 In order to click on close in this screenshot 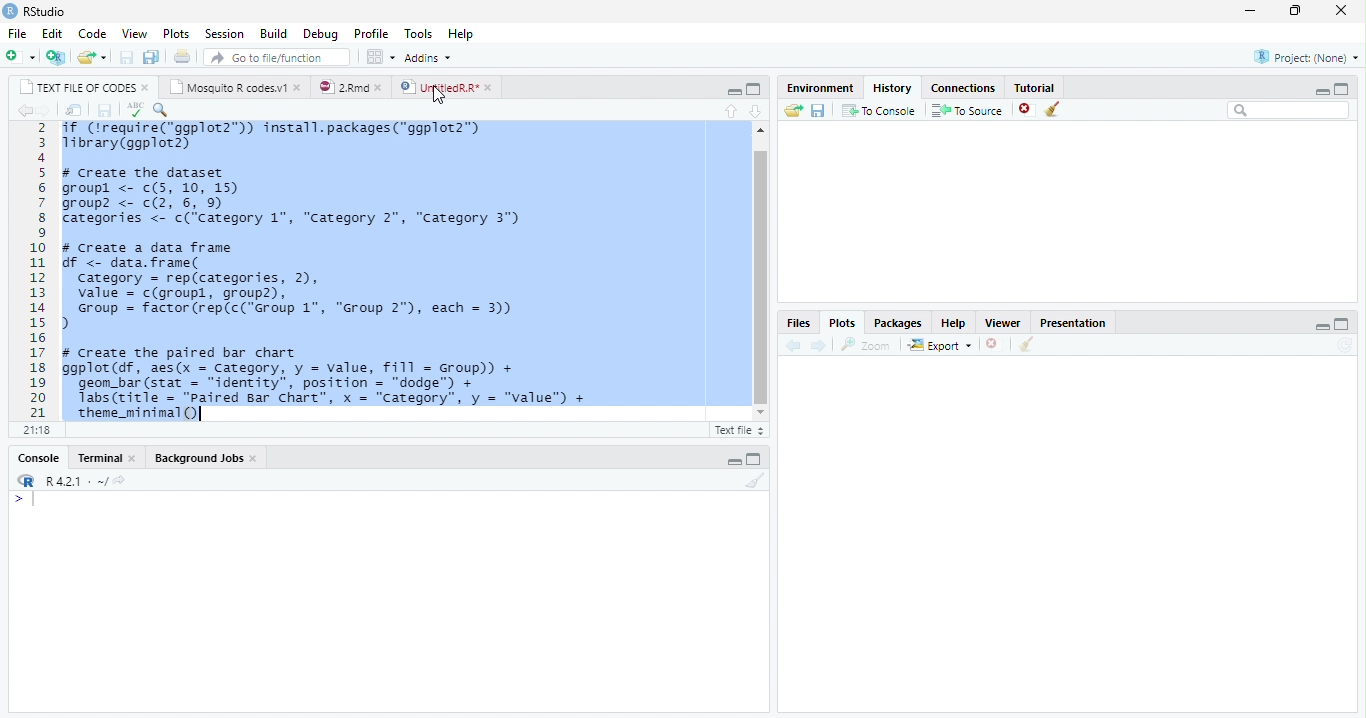, I will do `click(146, 89)`.